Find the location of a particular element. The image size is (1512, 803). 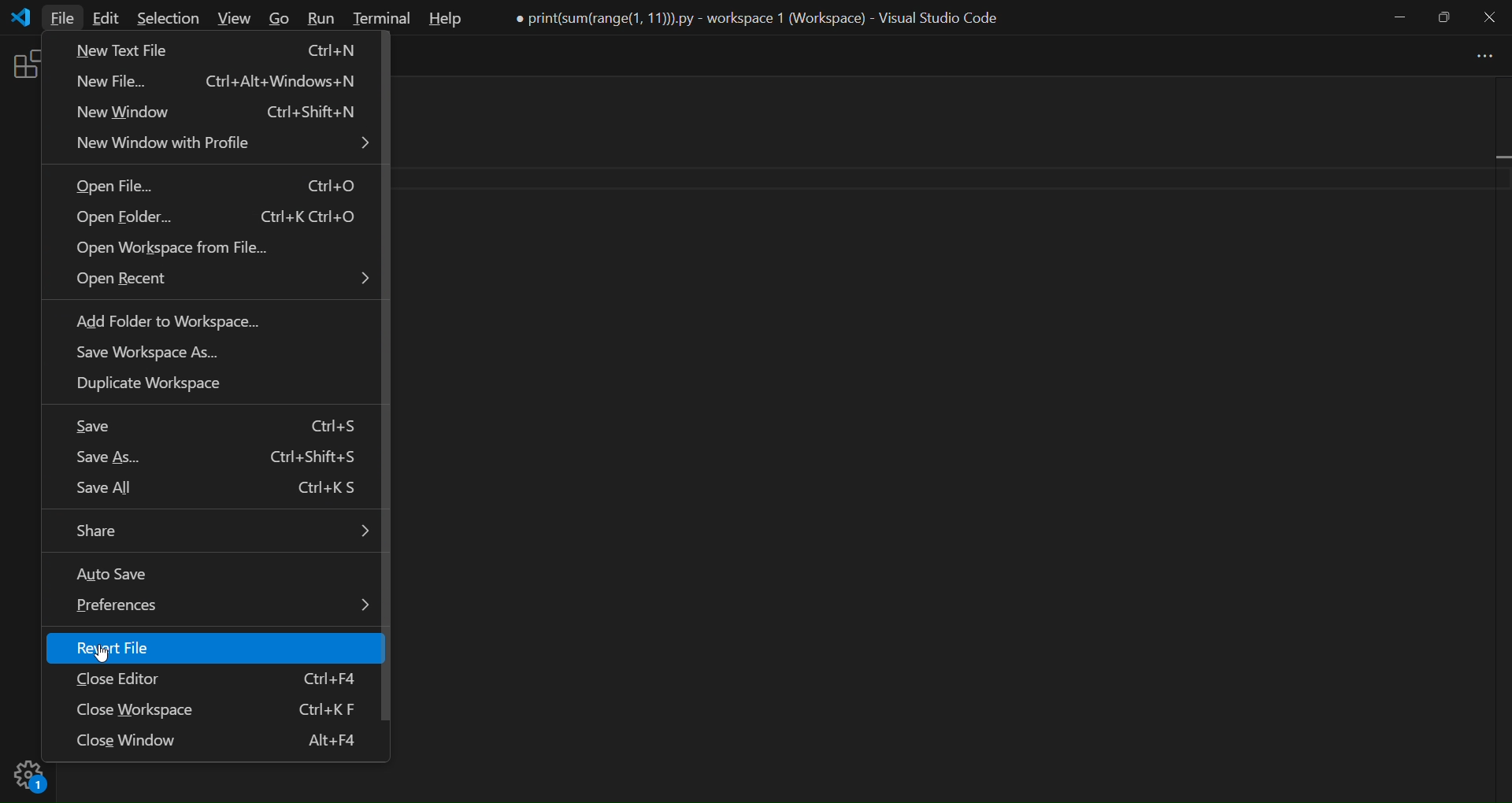

Edit is located at coordinates (105, 18).